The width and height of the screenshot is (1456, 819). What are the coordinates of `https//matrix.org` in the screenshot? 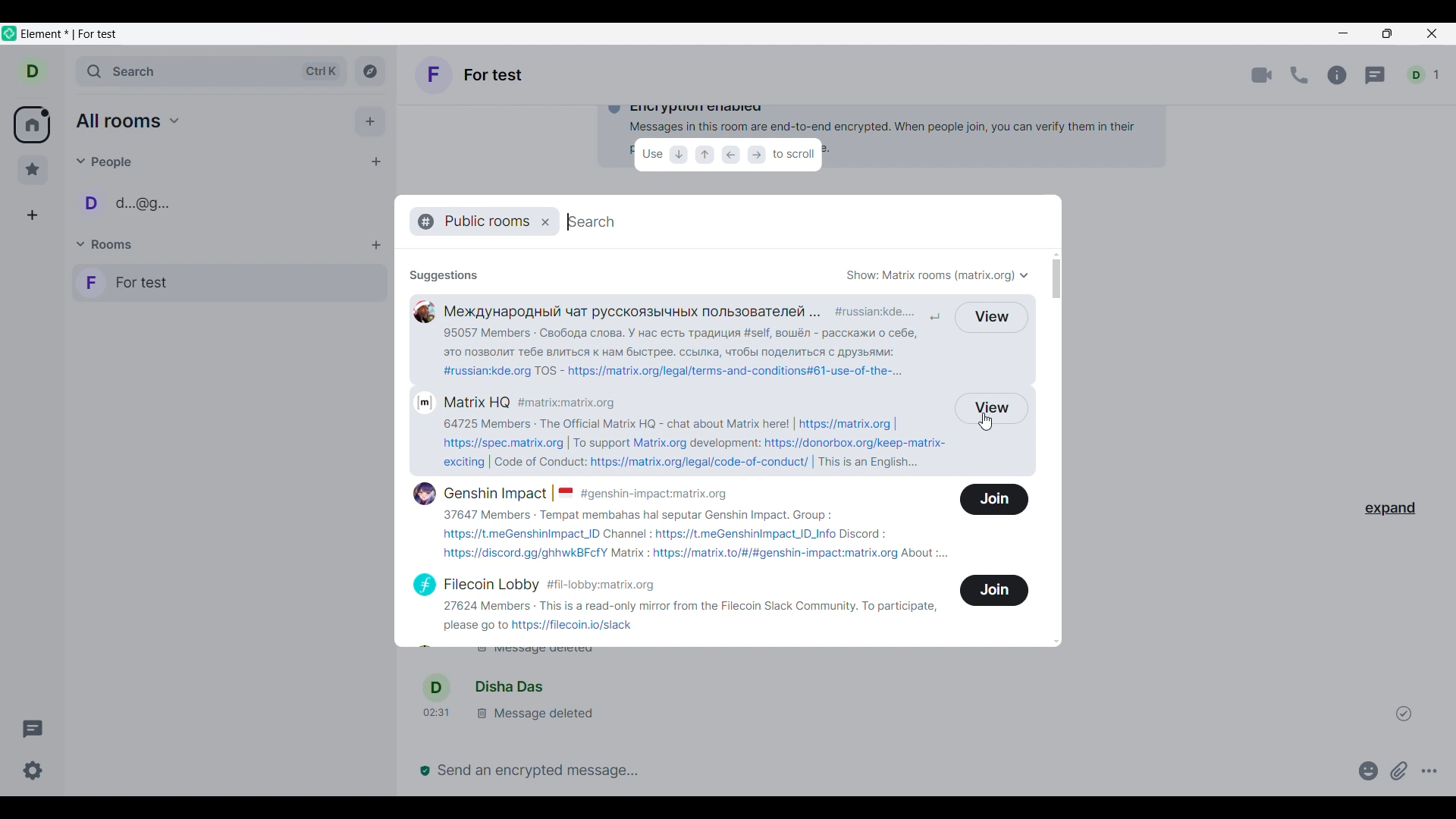 It's located at (851, 423).